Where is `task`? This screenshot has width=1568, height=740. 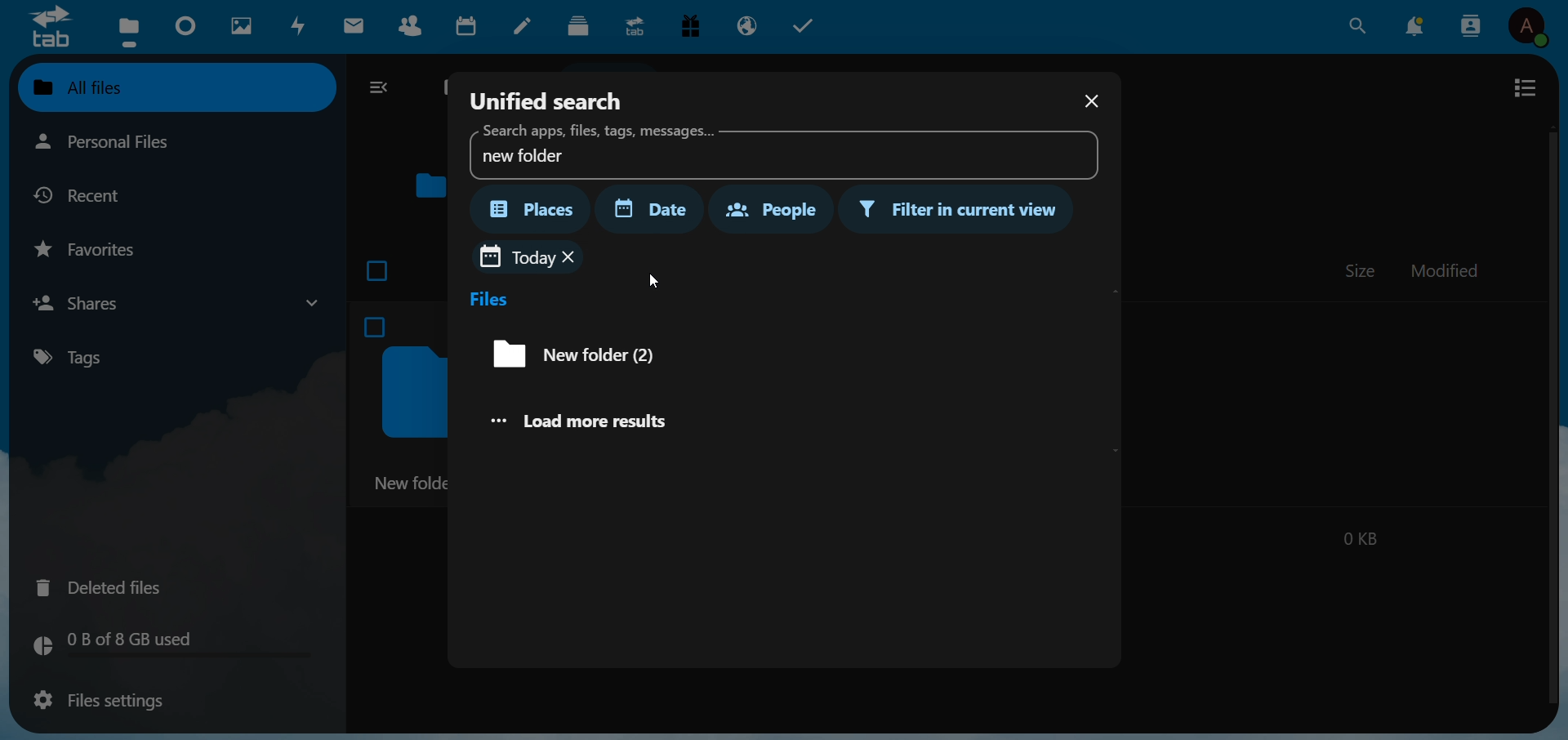 task is located at coordinates (808, 26).